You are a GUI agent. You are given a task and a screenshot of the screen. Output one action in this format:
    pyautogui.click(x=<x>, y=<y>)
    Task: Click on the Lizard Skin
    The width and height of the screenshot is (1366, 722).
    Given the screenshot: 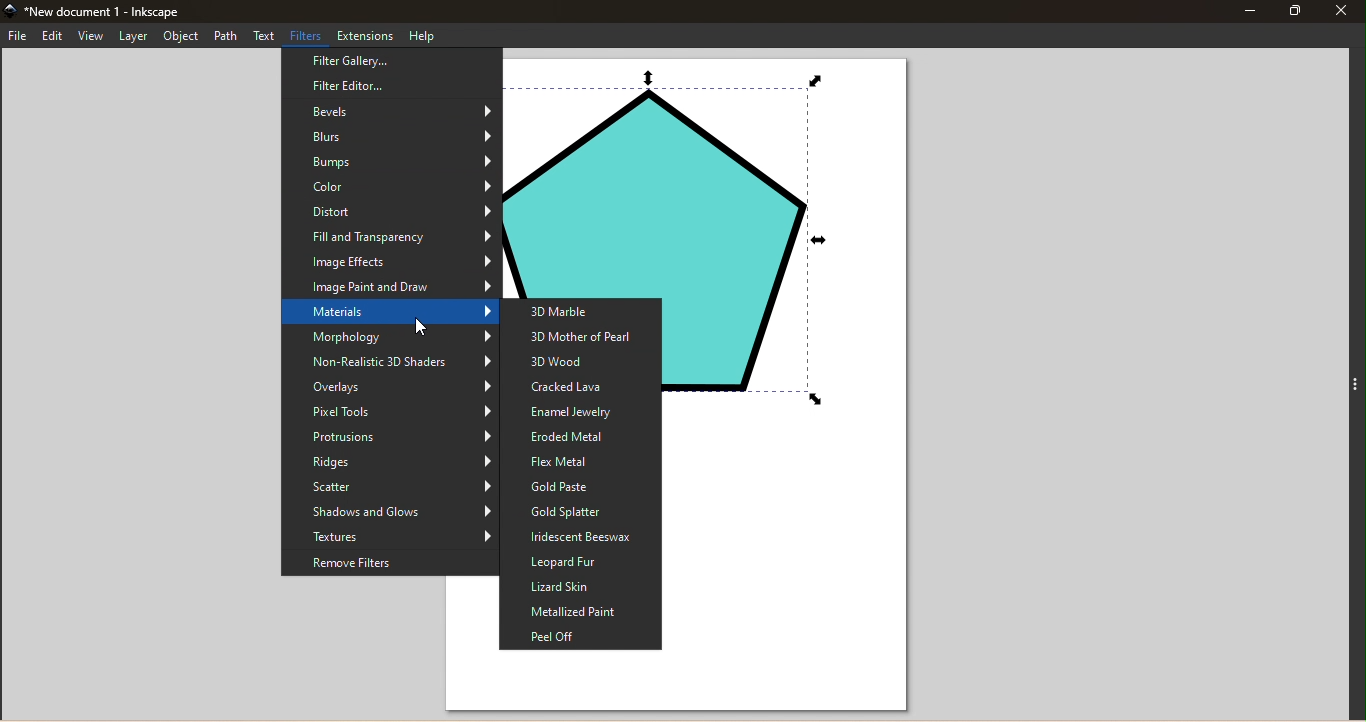 What is the action you would take?
    pyautogui.click(x=580, y=587)
    